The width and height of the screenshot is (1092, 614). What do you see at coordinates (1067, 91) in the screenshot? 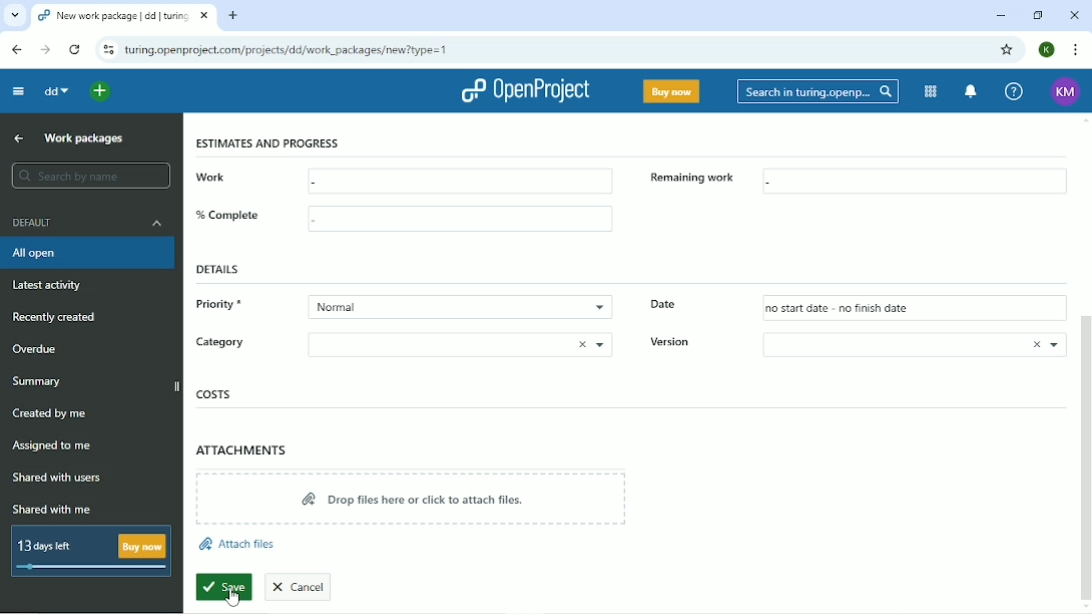
I see `KM` at bounding box center [1067, 91].